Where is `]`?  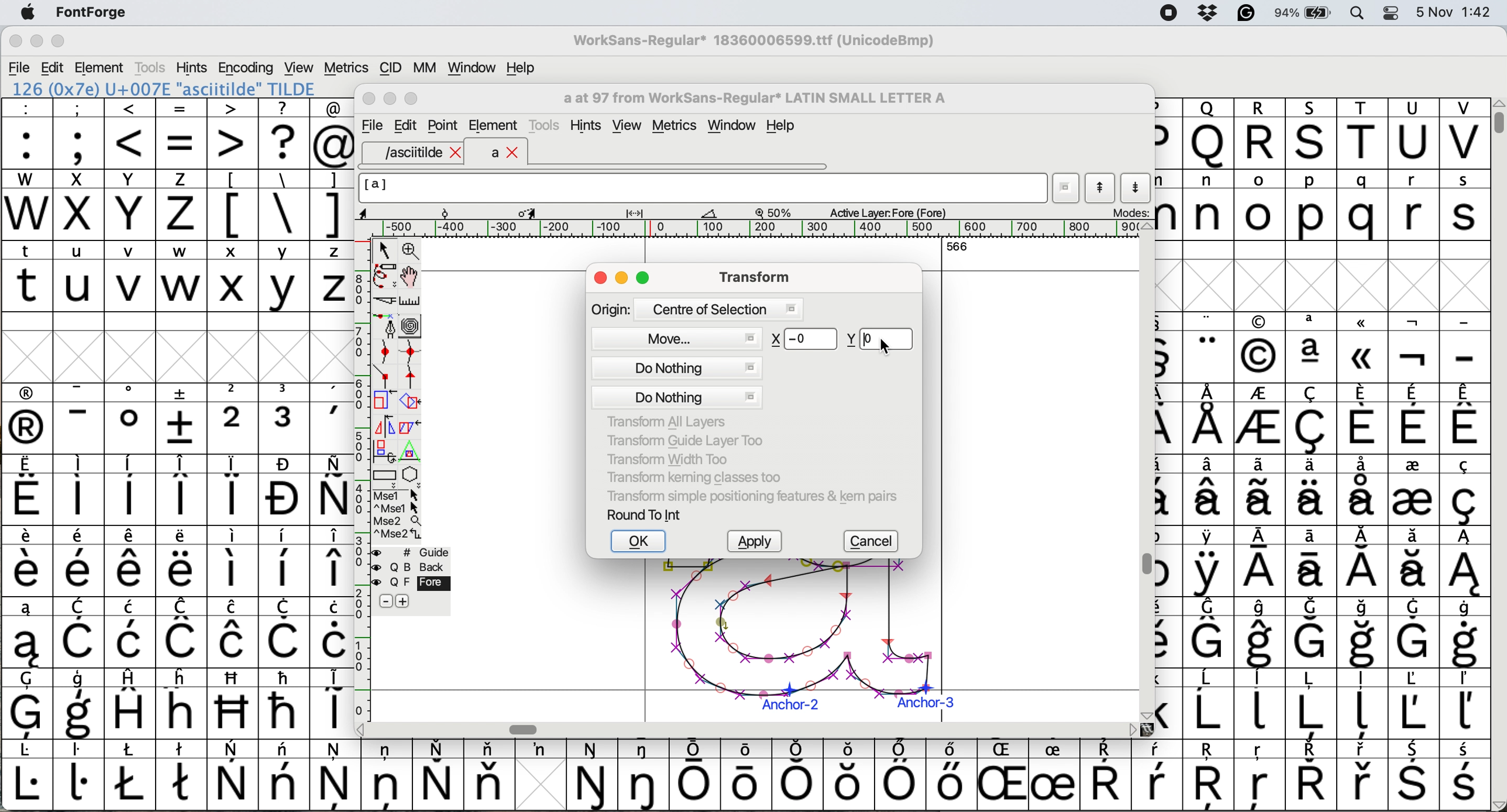 ] is located at coordinates (331, 203).